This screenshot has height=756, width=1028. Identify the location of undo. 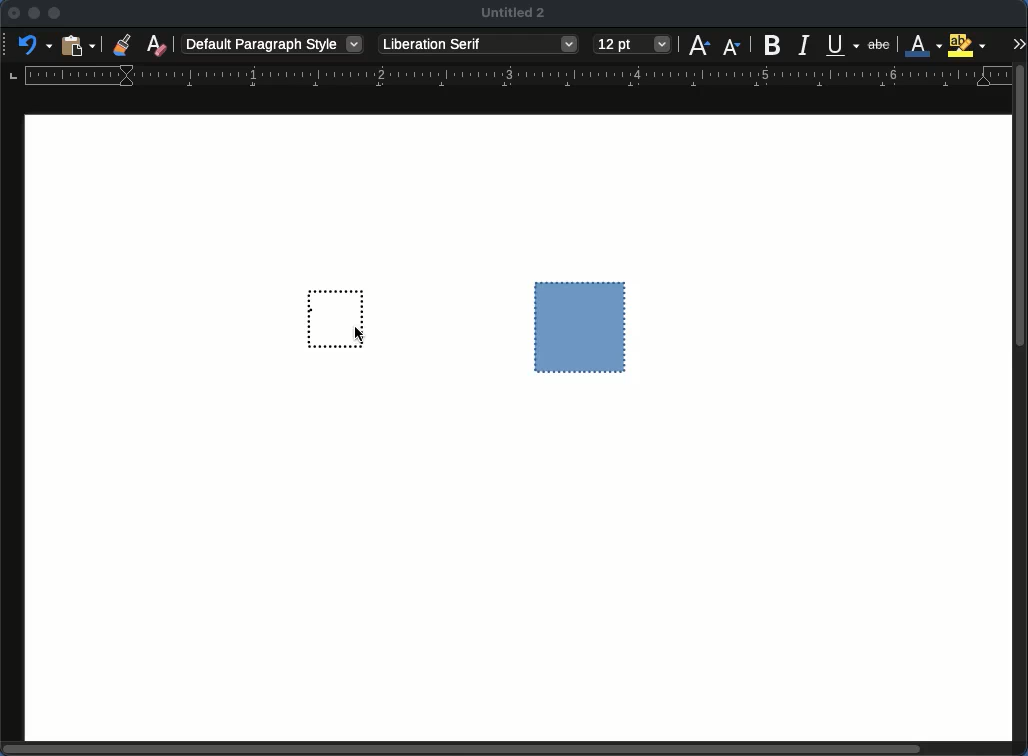
(35, 45).